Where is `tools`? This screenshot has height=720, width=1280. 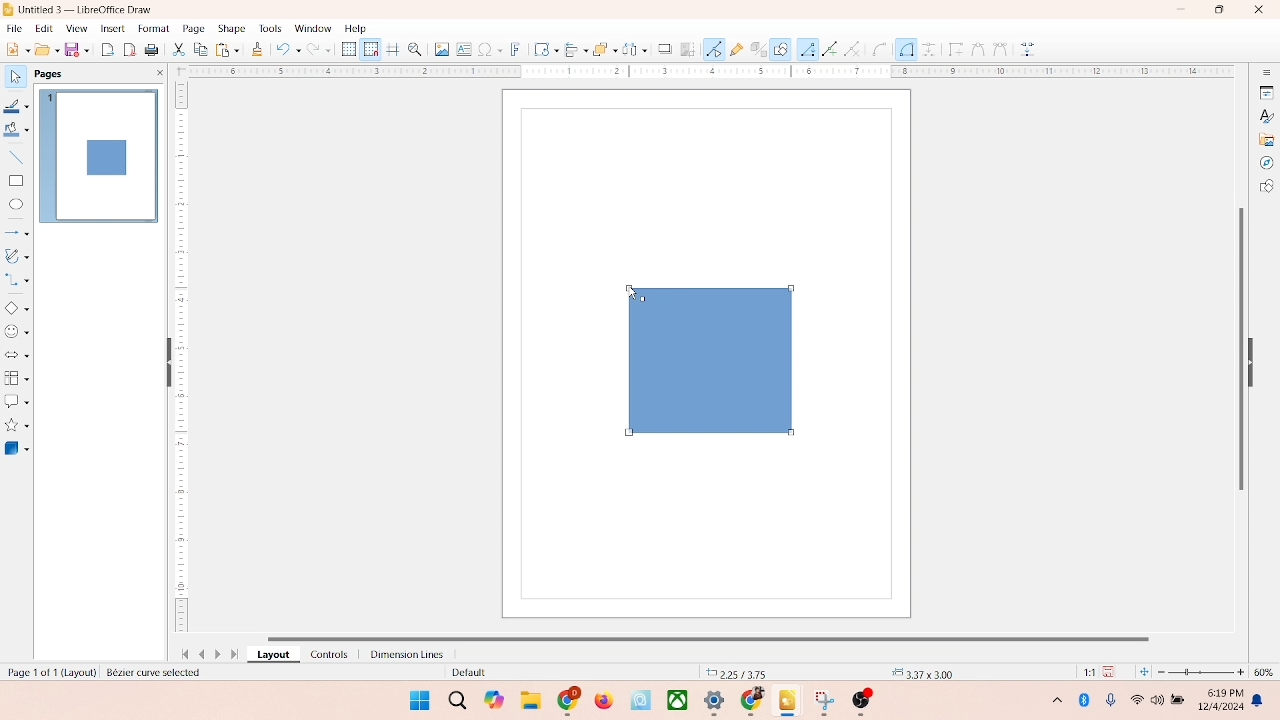
tools is located at coordinates (269, 28).